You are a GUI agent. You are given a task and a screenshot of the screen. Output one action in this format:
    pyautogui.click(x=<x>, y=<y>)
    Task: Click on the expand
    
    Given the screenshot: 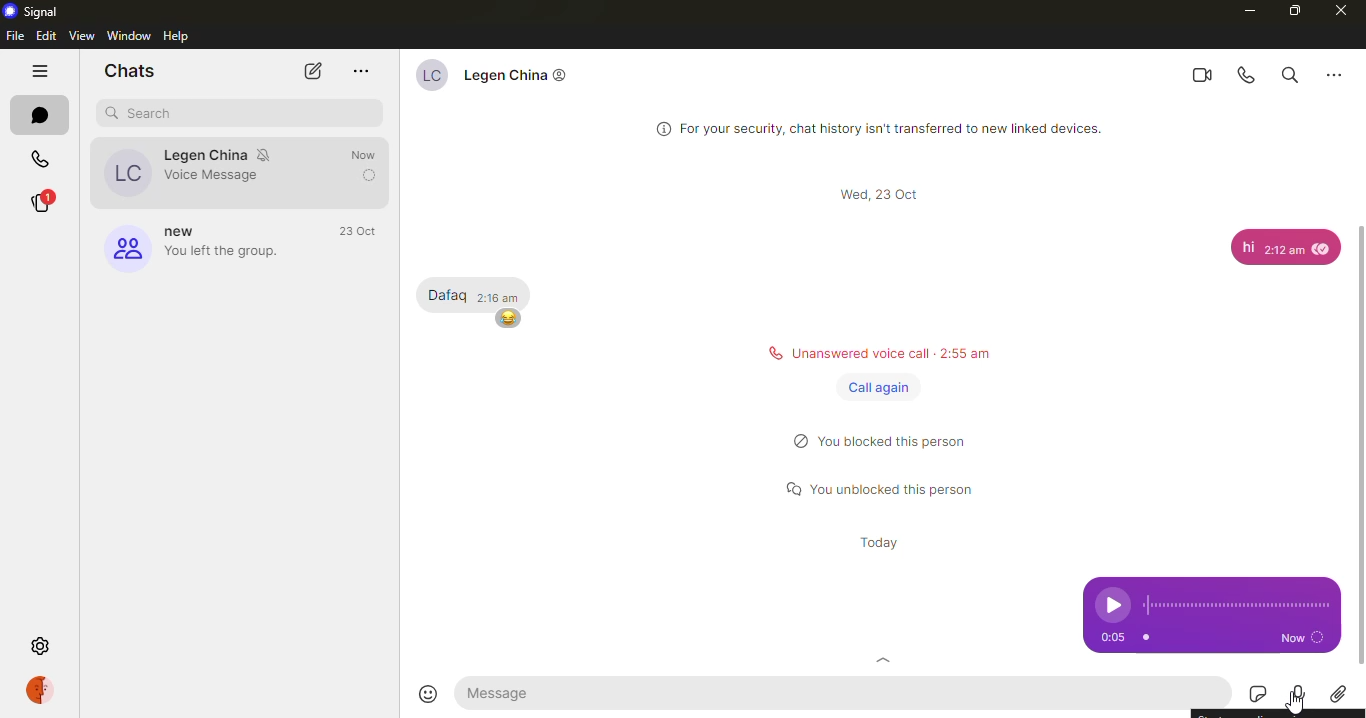 What is the action you would take?
    pyautogui.click(x=882, y=660)
    